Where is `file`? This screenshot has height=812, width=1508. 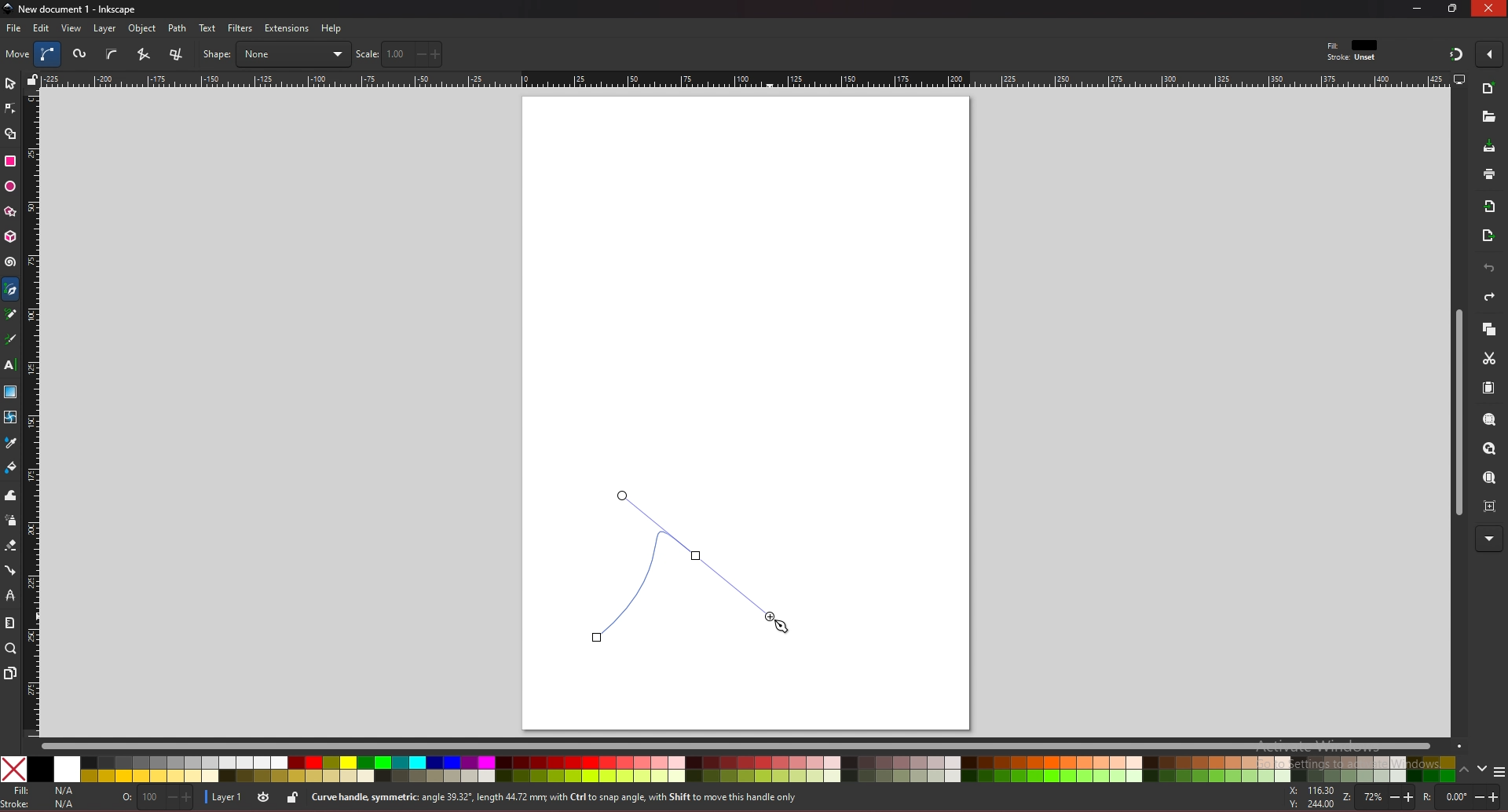 file is located at coordinates (13, 28).